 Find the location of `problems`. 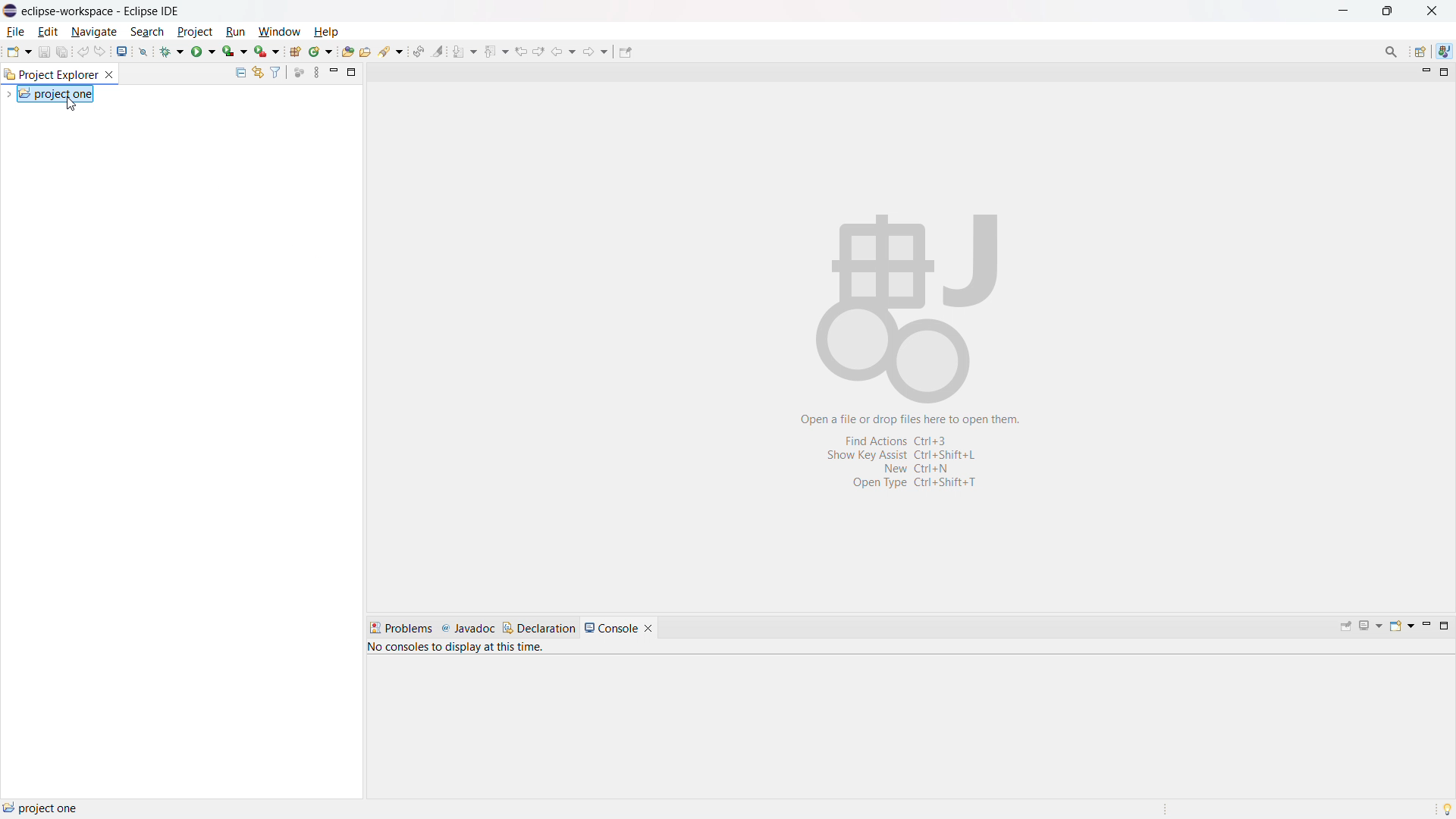

problems is located at coordinates (400, 629).